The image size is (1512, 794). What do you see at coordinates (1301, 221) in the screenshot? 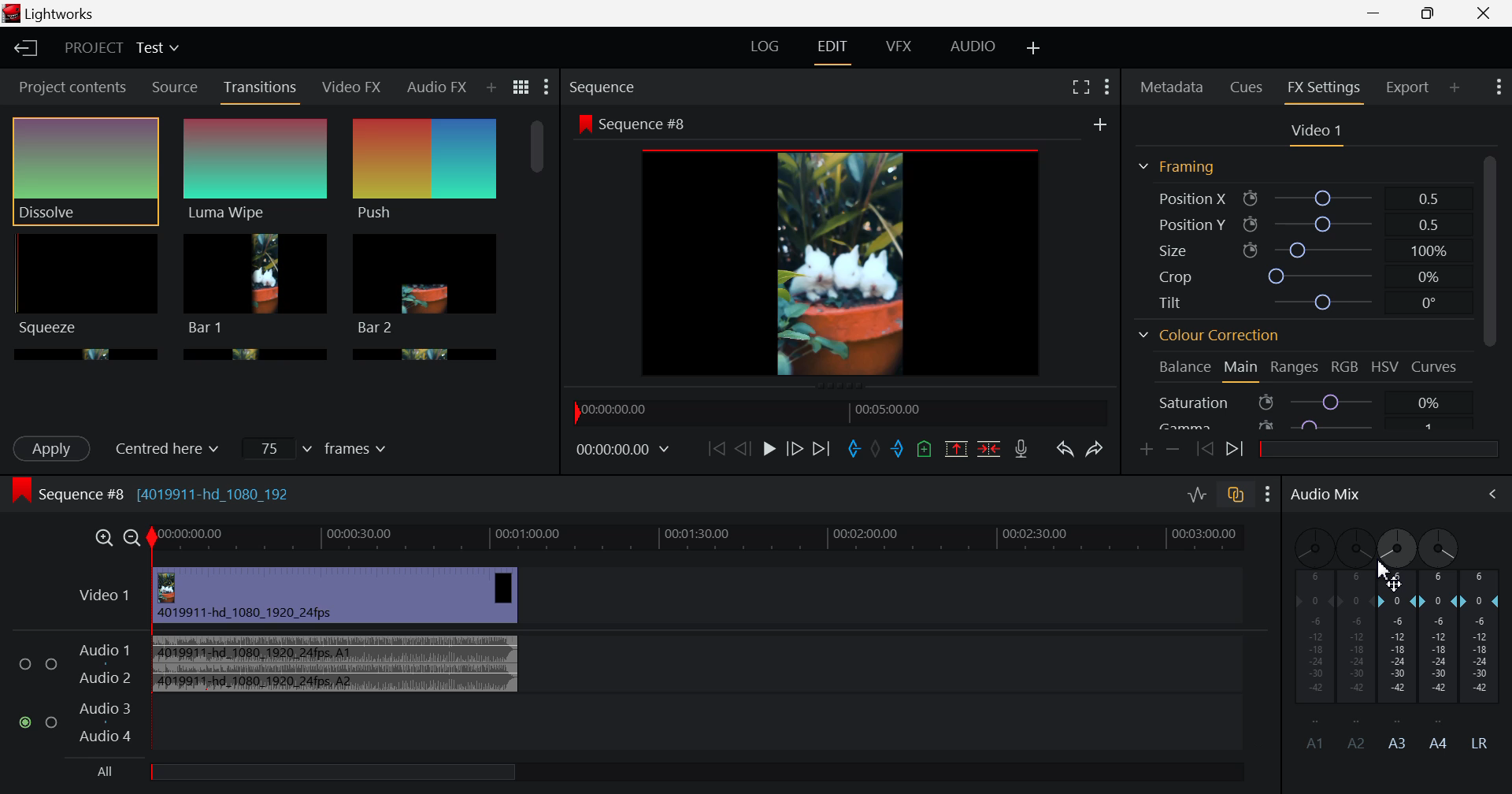
I see `Position Y` at bounding box center [1301, 221].